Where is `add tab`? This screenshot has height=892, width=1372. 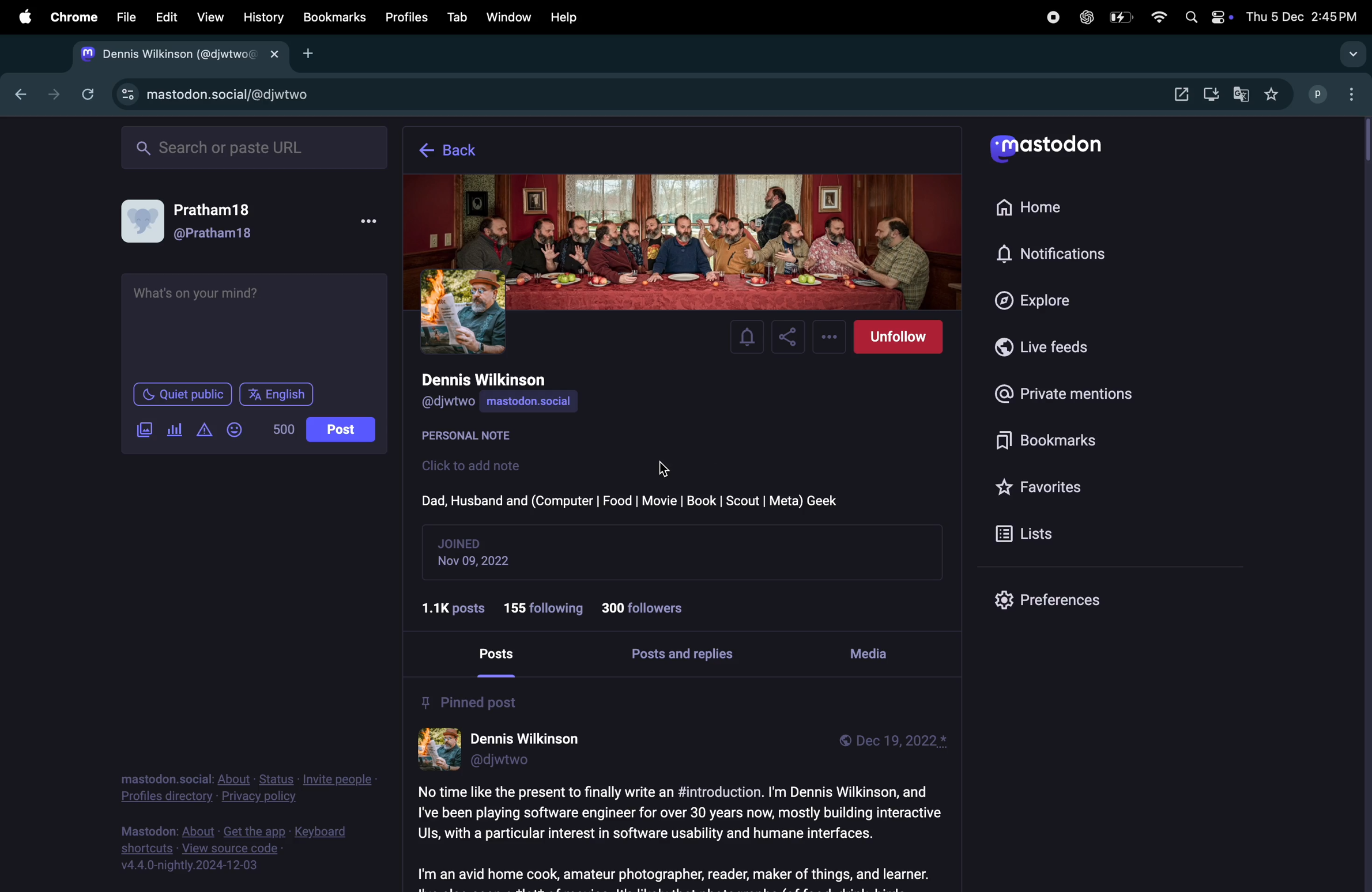
add tab is located at coordinates (315, 54).